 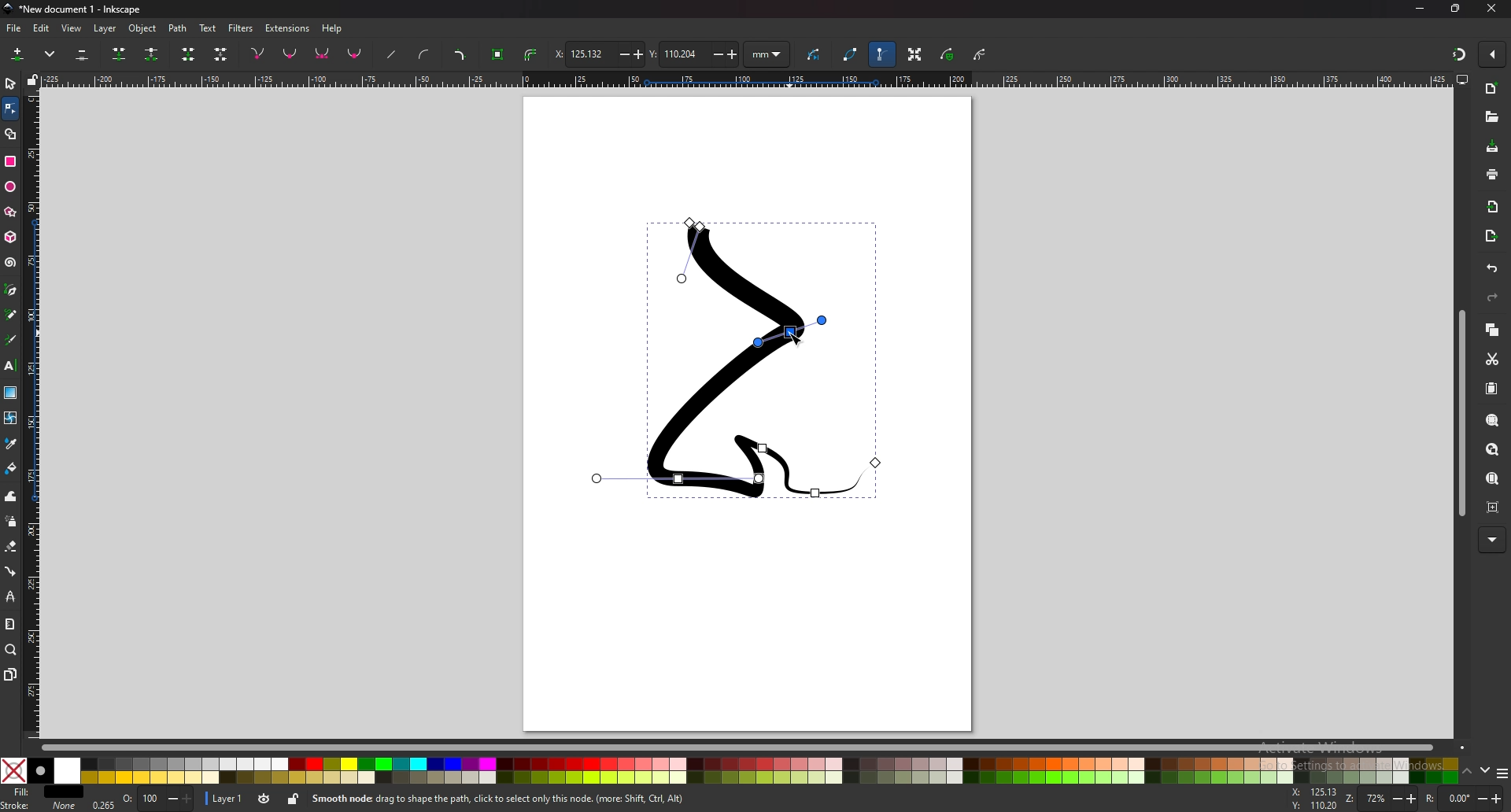 What do you see at coordinates (693, 54) in the screenshot?
I see `y coordinates` at bounding box center [693, 54].